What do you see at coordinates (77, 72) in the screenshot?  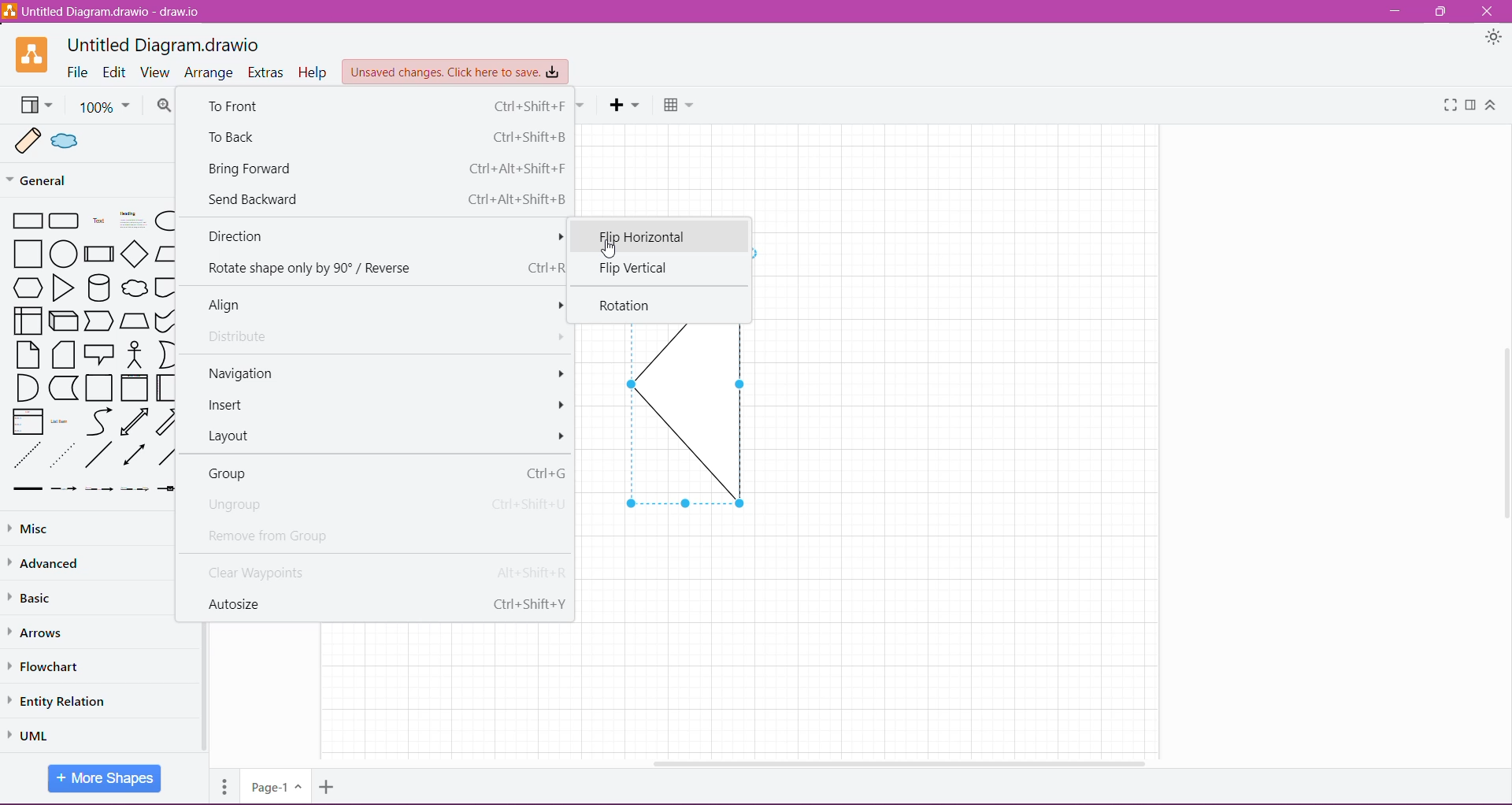 I see `File` at bounding box center [77, 72].